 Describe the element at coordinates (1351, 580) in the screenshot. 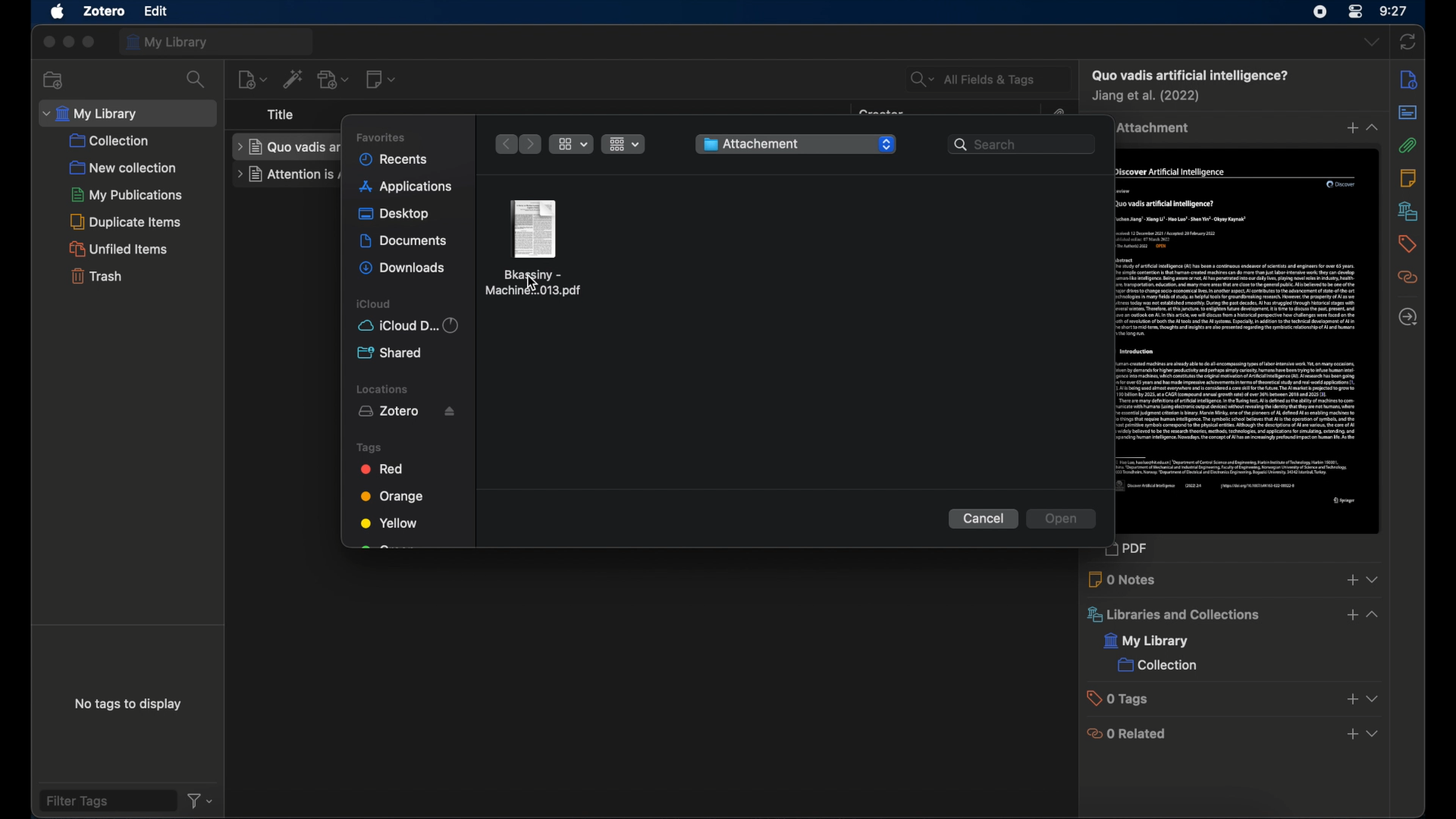

I see `add` at that location.